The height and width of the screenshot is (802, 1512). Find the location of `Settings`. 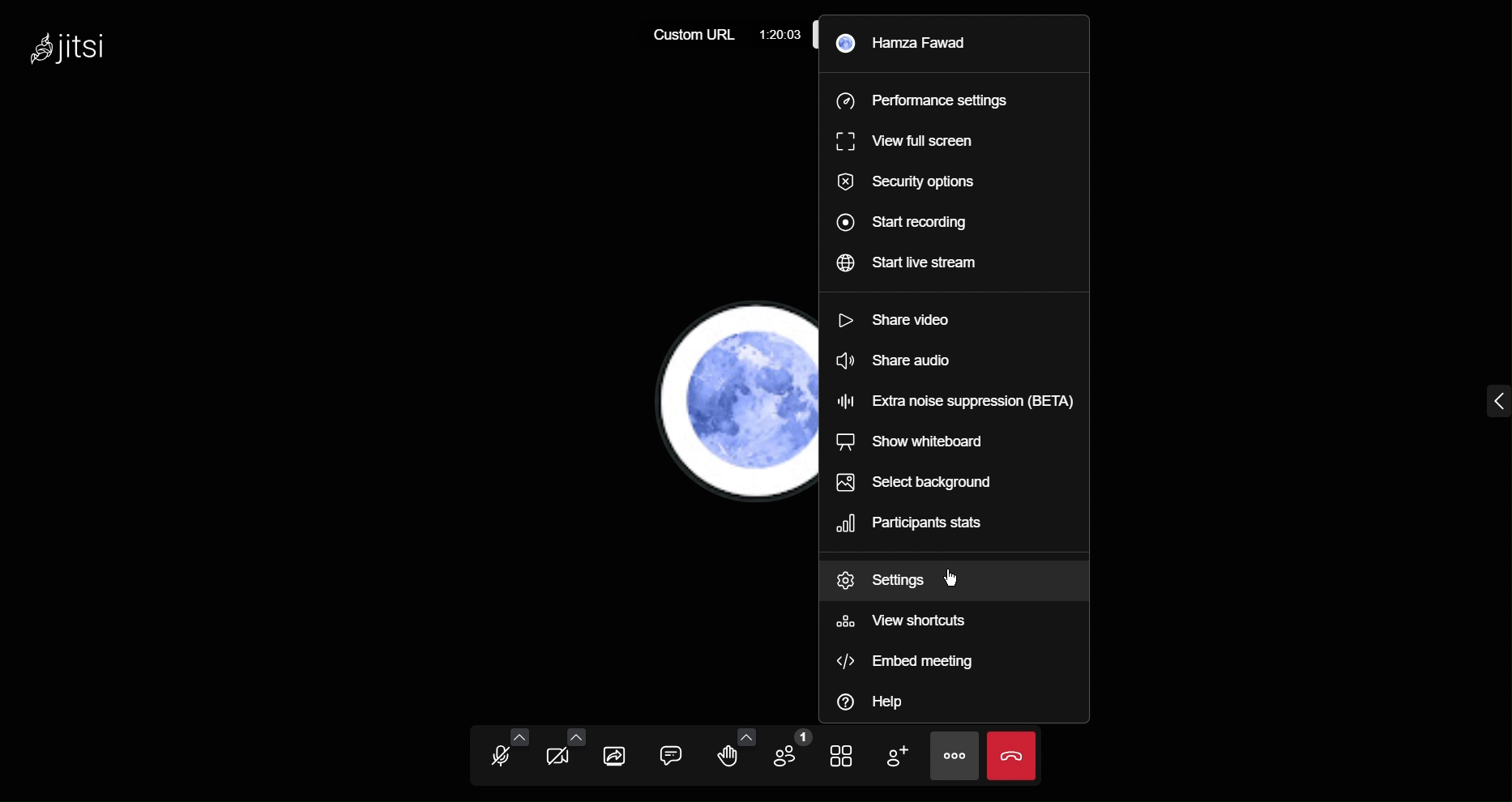

Settings is located at coordinates (881, 582).